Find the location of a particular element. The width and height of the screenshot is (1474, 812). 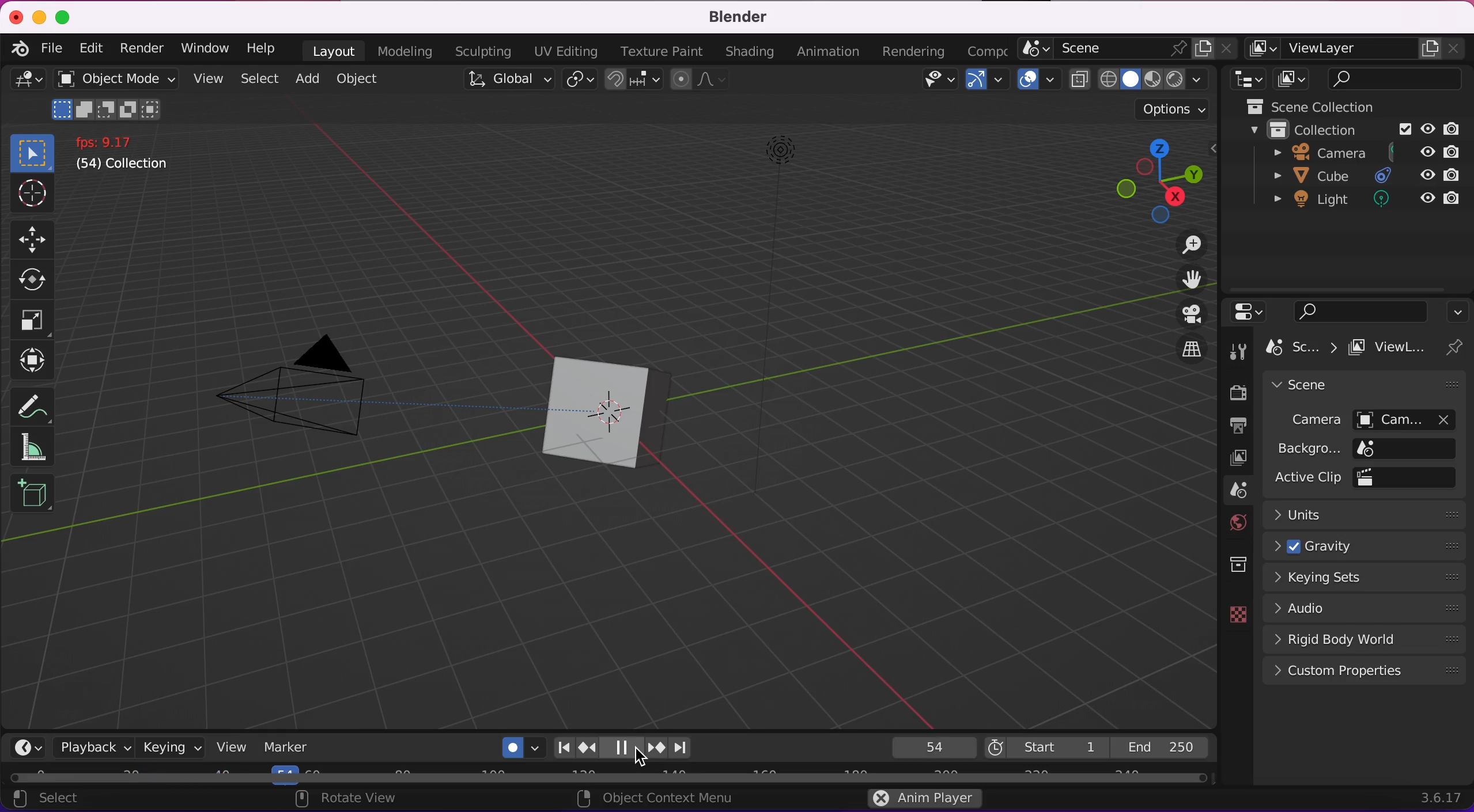

editor type is located at coordinates (24, 86).